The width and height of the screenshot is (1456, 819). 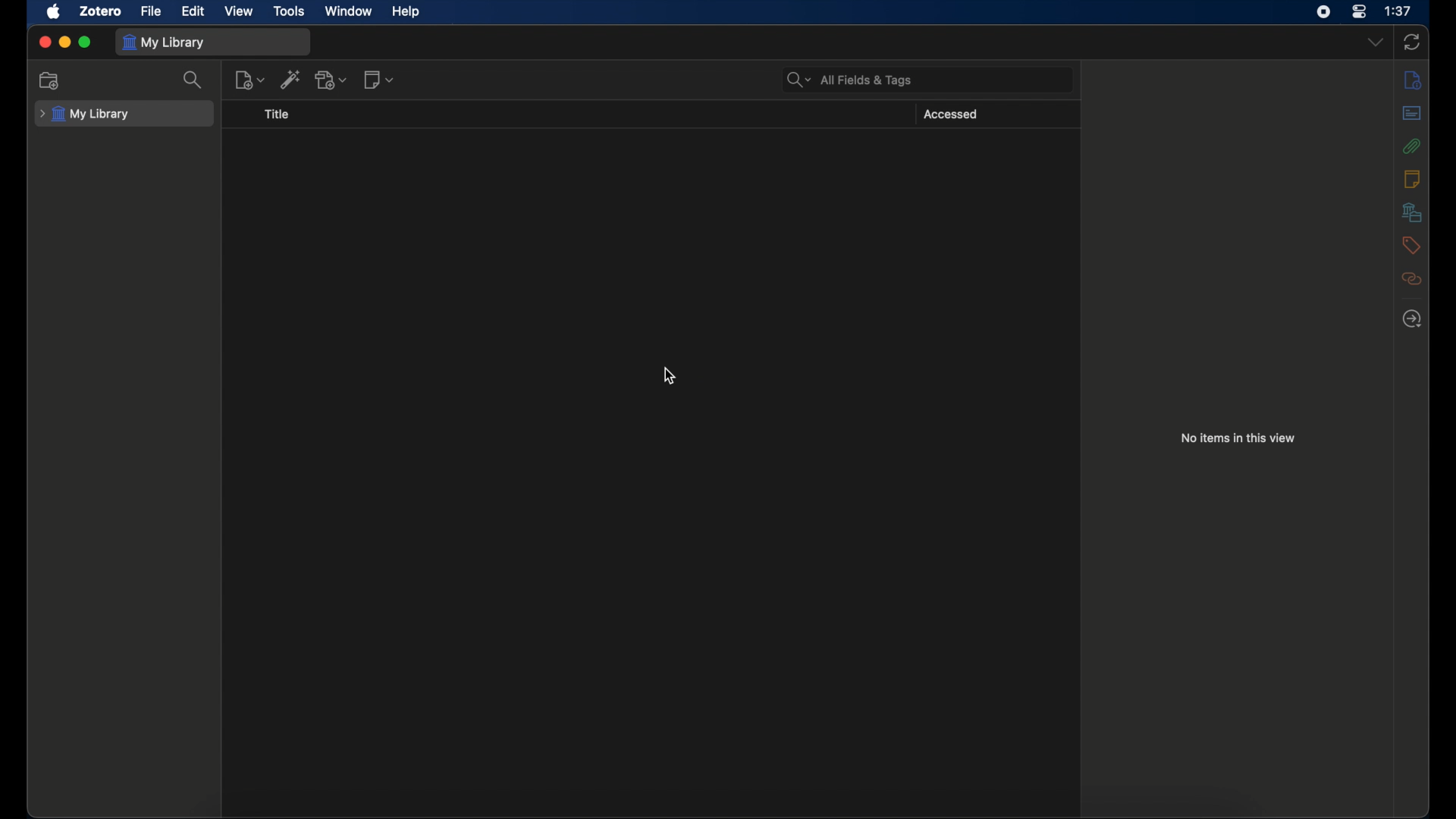 I want to click on add attachments, so click(x=332, y=81).